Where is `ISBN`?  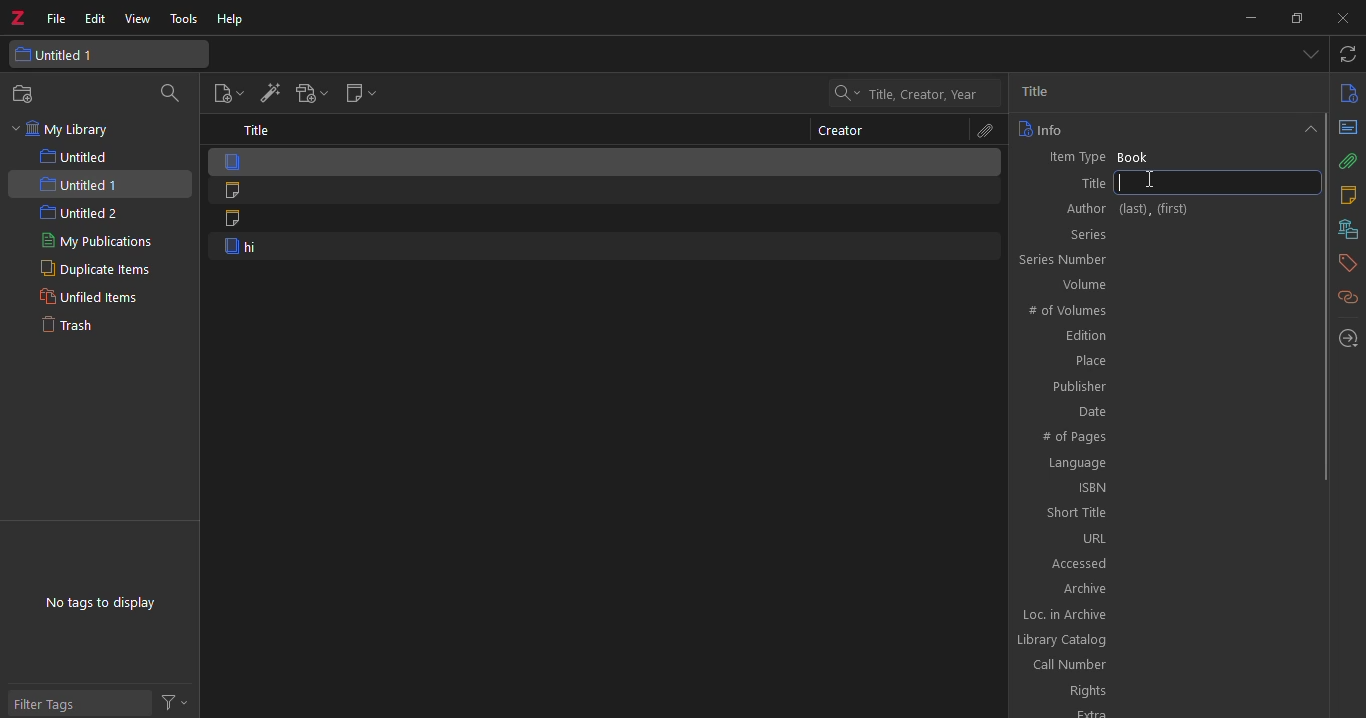
ISBN is located at coordinates (1167, 488).